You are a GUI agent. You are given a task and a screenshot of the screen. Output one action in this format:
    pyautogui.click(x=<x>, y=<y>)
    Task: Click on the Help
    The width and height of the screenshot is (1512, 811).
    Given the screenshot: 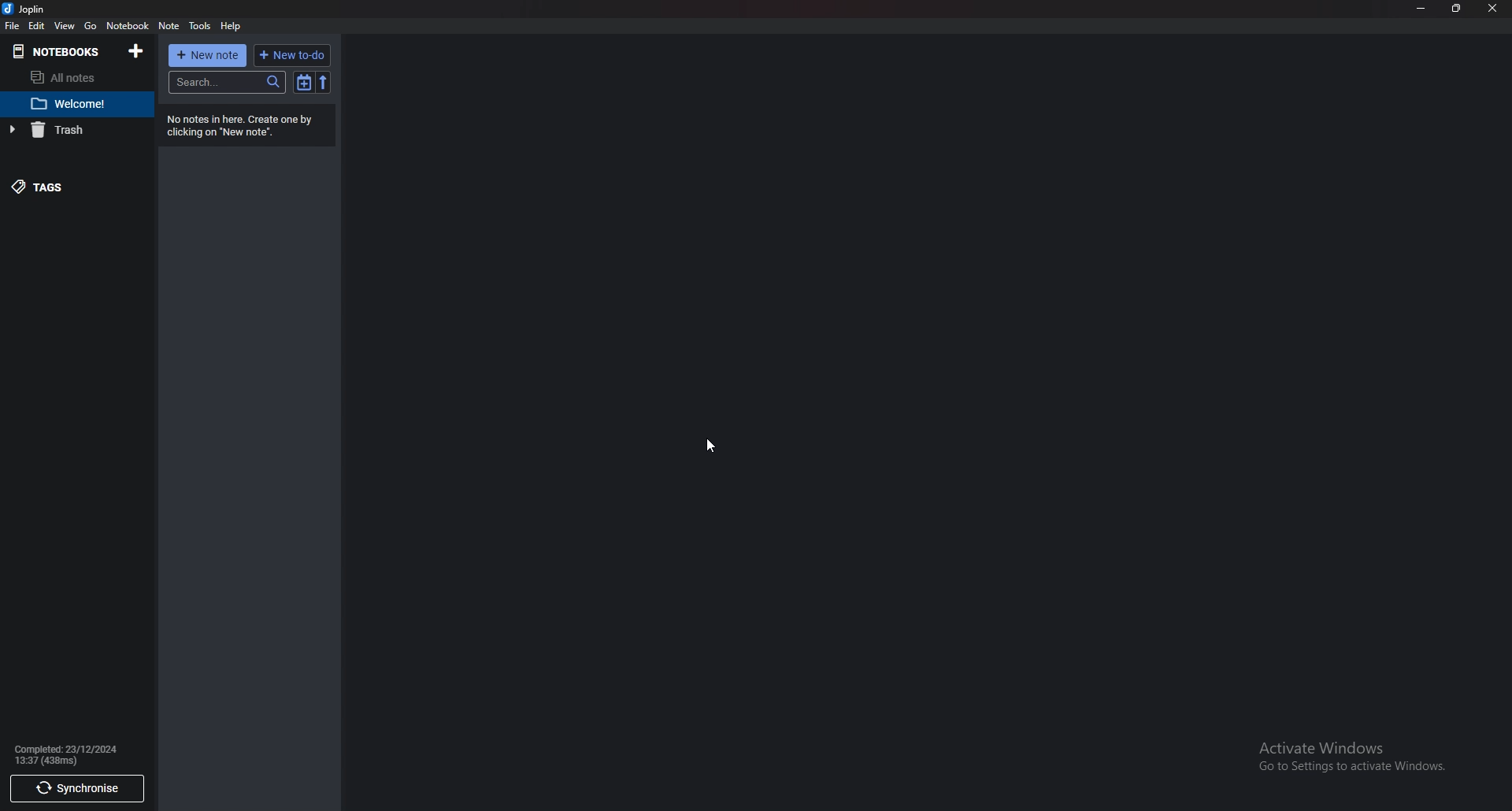 What is the action you would take?
    pyautogui.click(x=231, y=25)
    